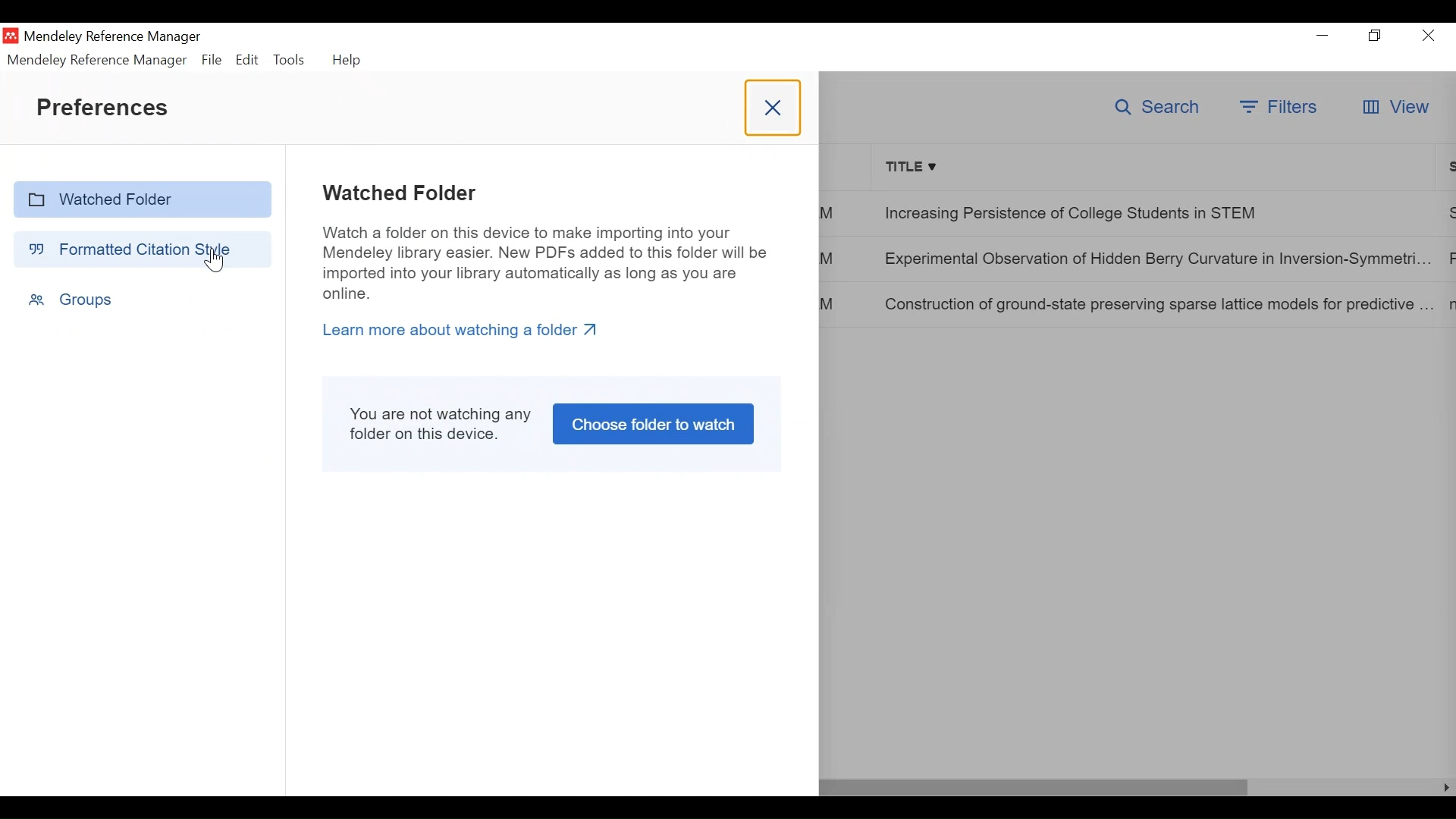 The width and height of the screenshot is (1456, 819). What do you see at coordinates (98, 60) in the screenshot?
I see `Mendeley Reference Manager` at bounding box center [98, 60].